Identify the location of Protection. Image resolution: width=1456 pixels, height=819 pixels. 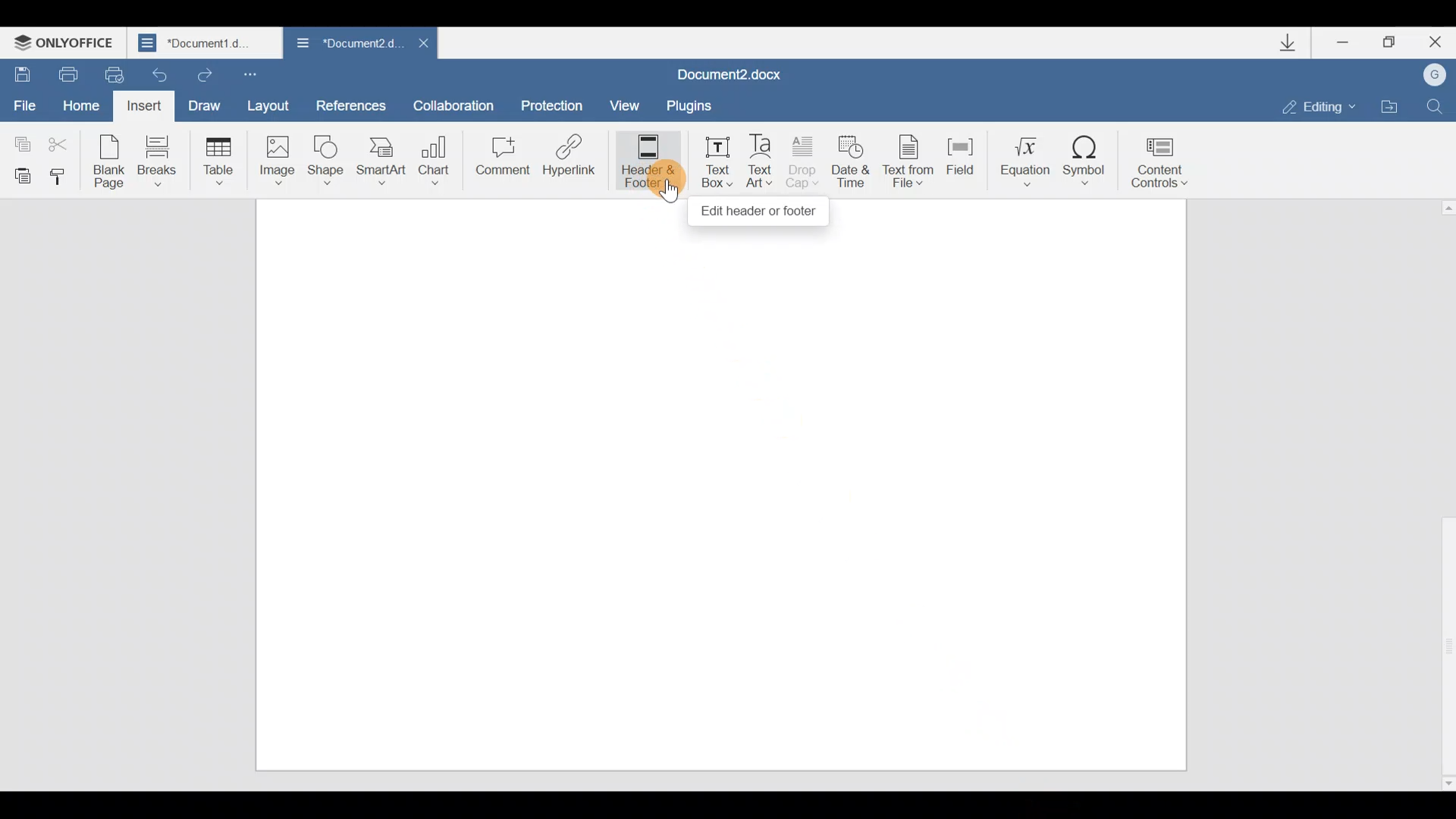
(552, 99).